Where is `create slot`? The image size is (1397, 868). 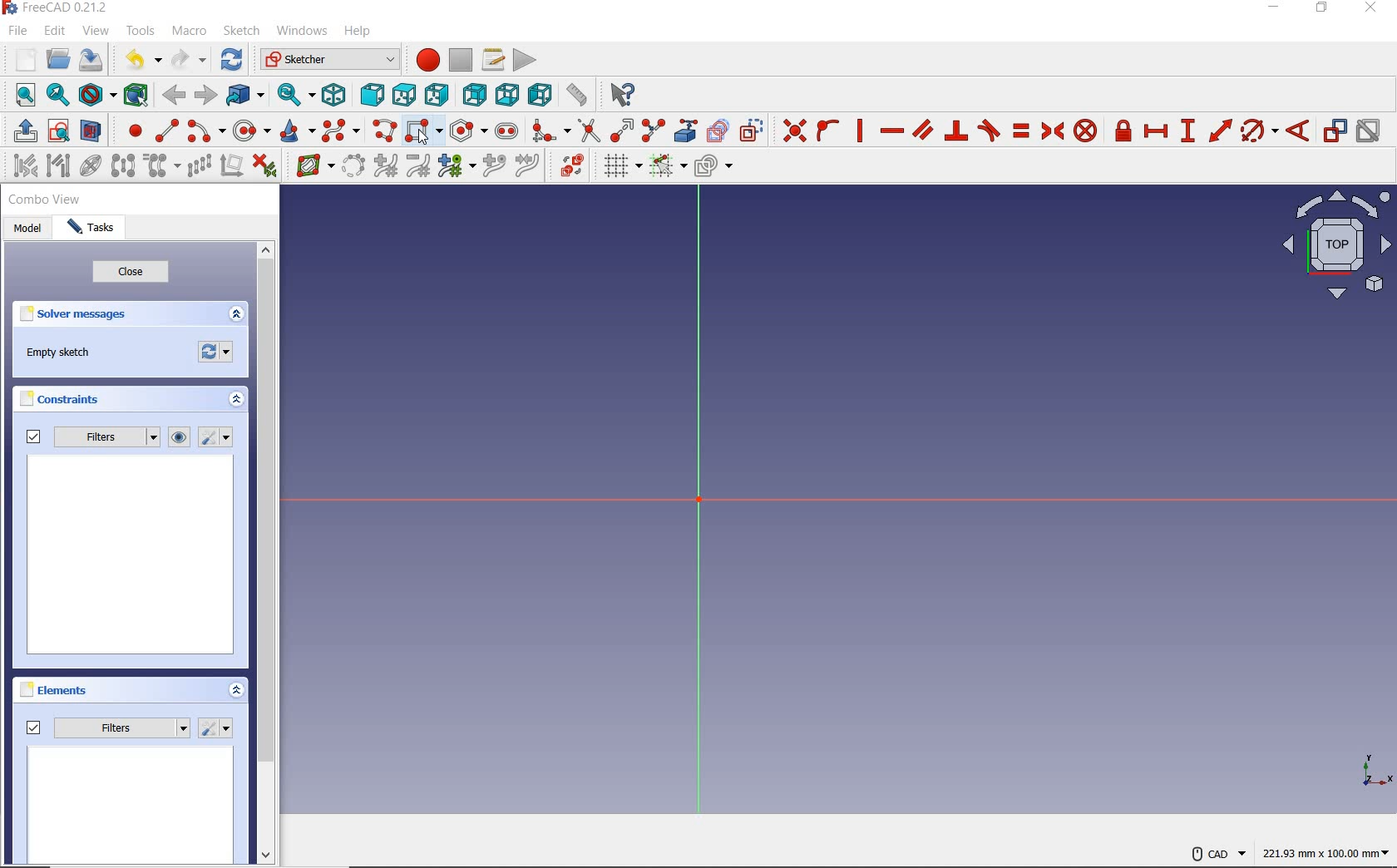 create slot is located at coordinates (507, 132).